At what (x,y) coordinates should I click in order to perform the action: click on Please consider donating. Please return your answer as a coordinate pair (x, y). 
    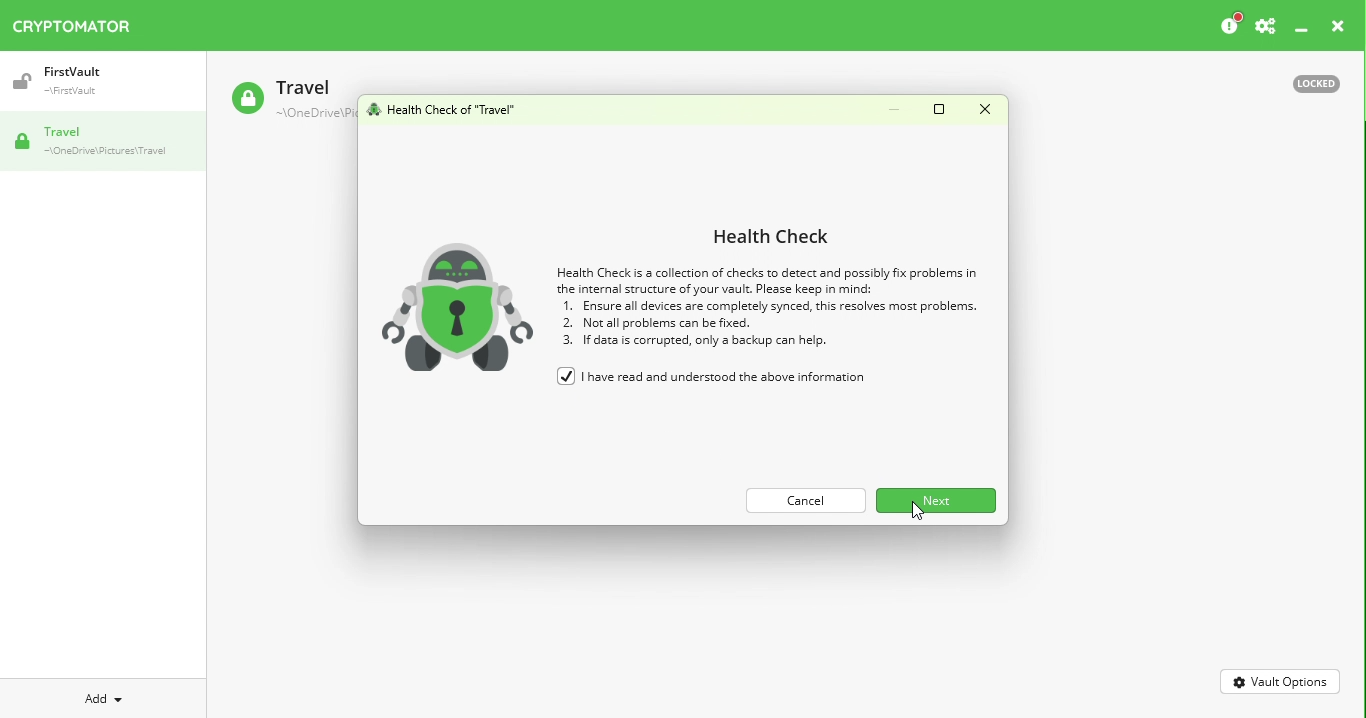
    Looking at the image, I should click on (1227, 23).